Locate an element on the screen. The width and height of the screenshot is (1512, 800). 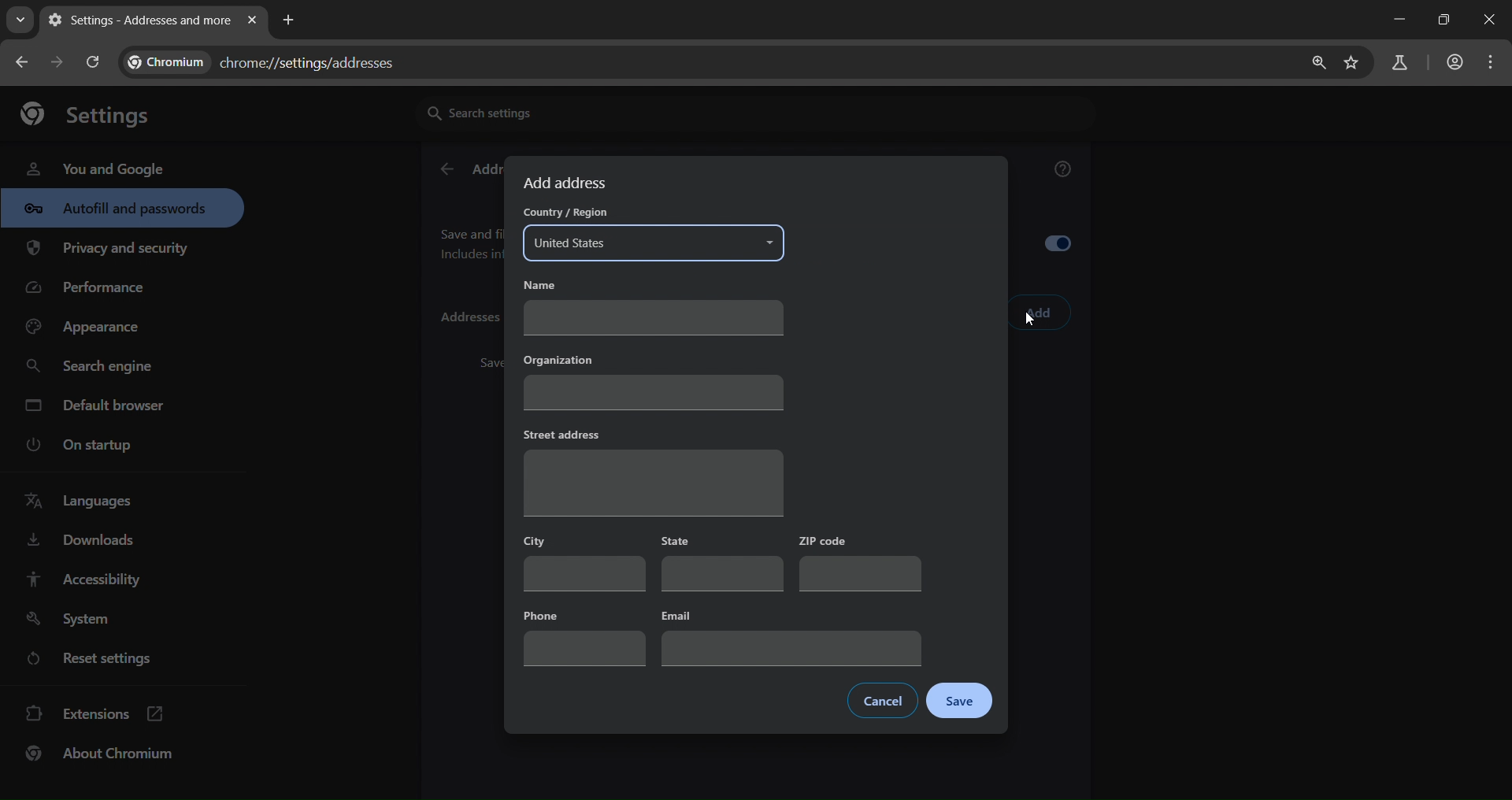
name is located at coordinates (652, 307).